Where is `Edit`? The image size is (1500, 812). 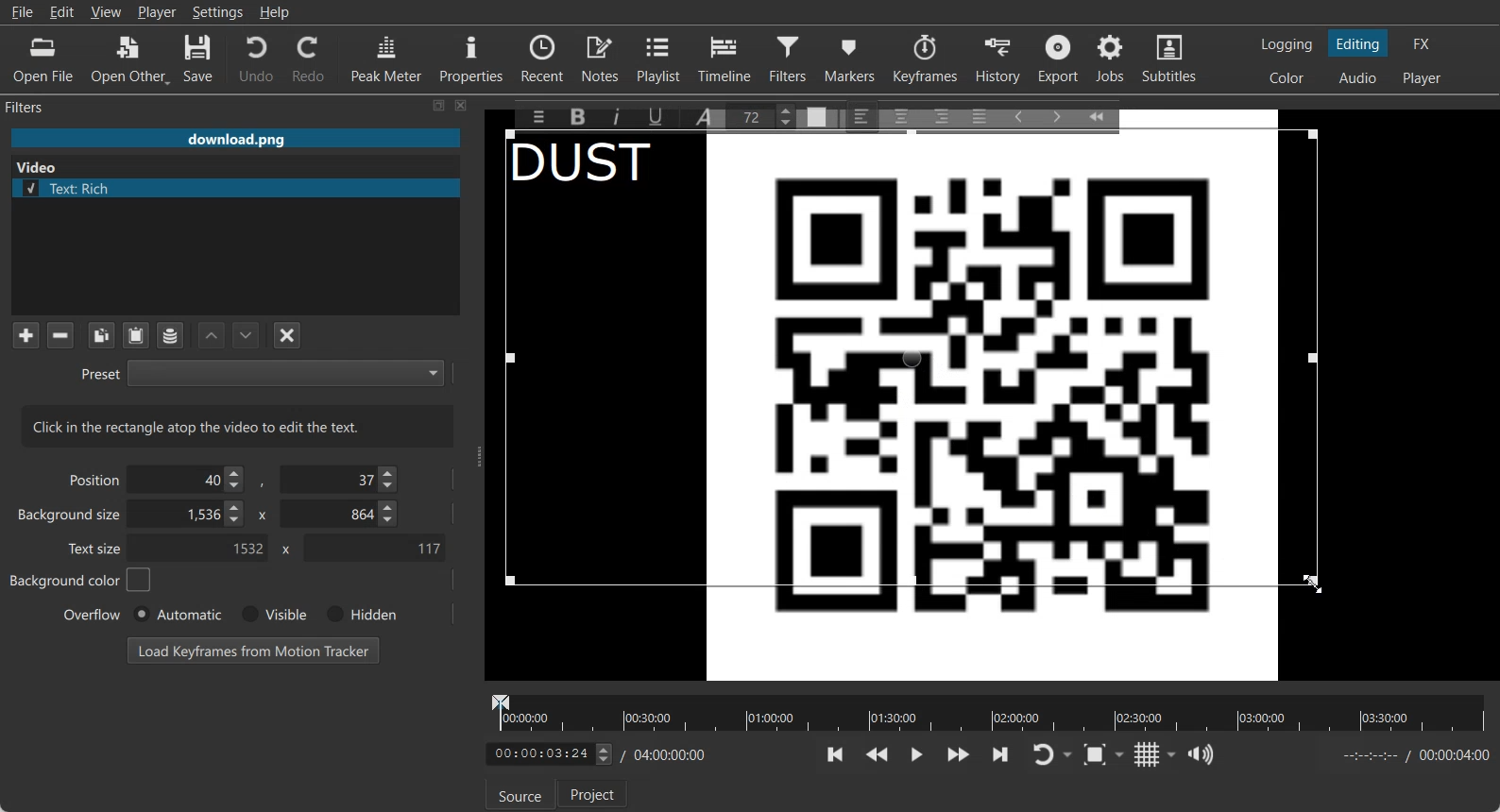 Edit is located at coordinates (62, 11).